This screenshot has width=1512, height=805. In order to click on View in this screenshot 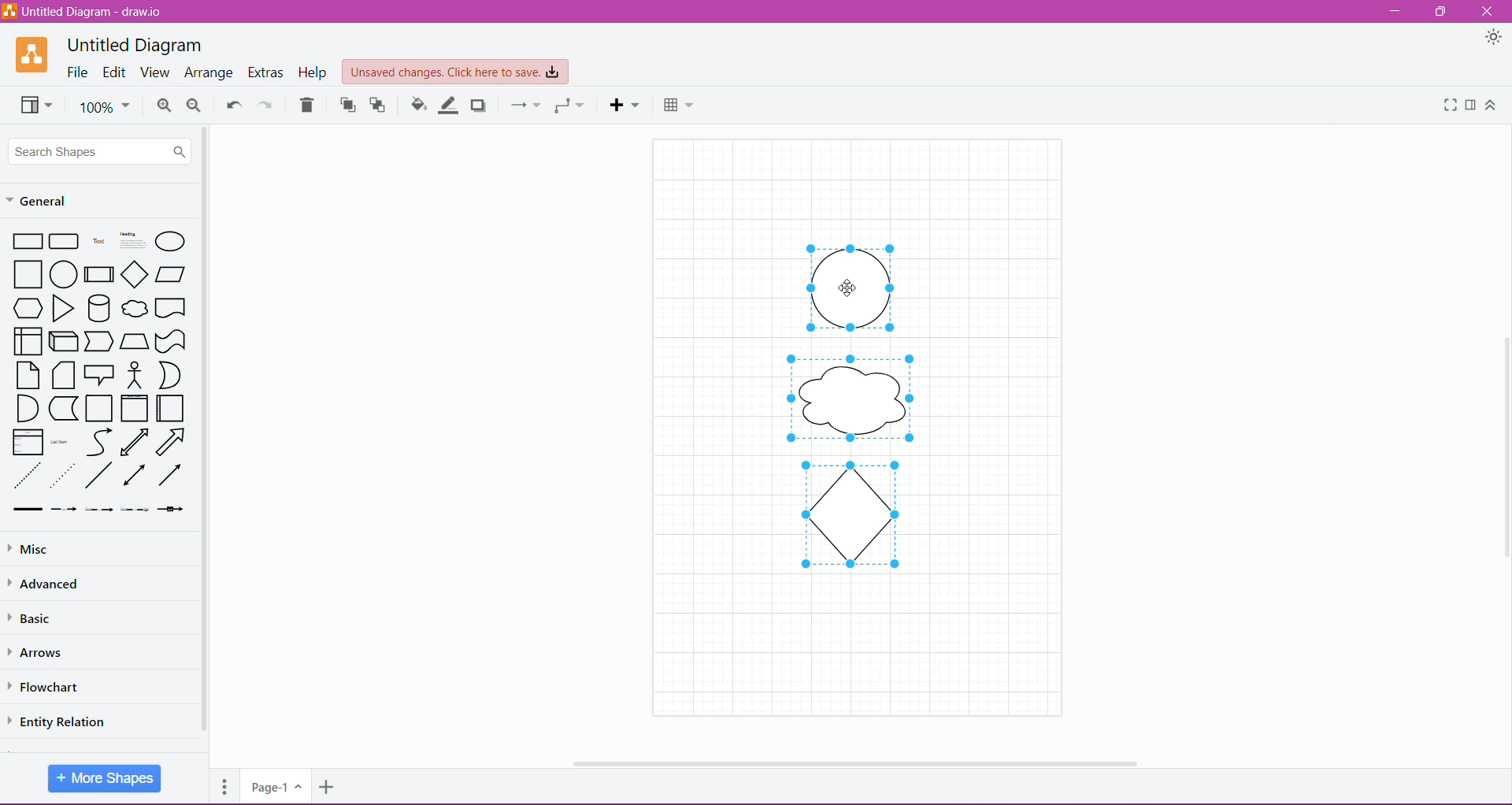, I will do `click(154, 72)`.